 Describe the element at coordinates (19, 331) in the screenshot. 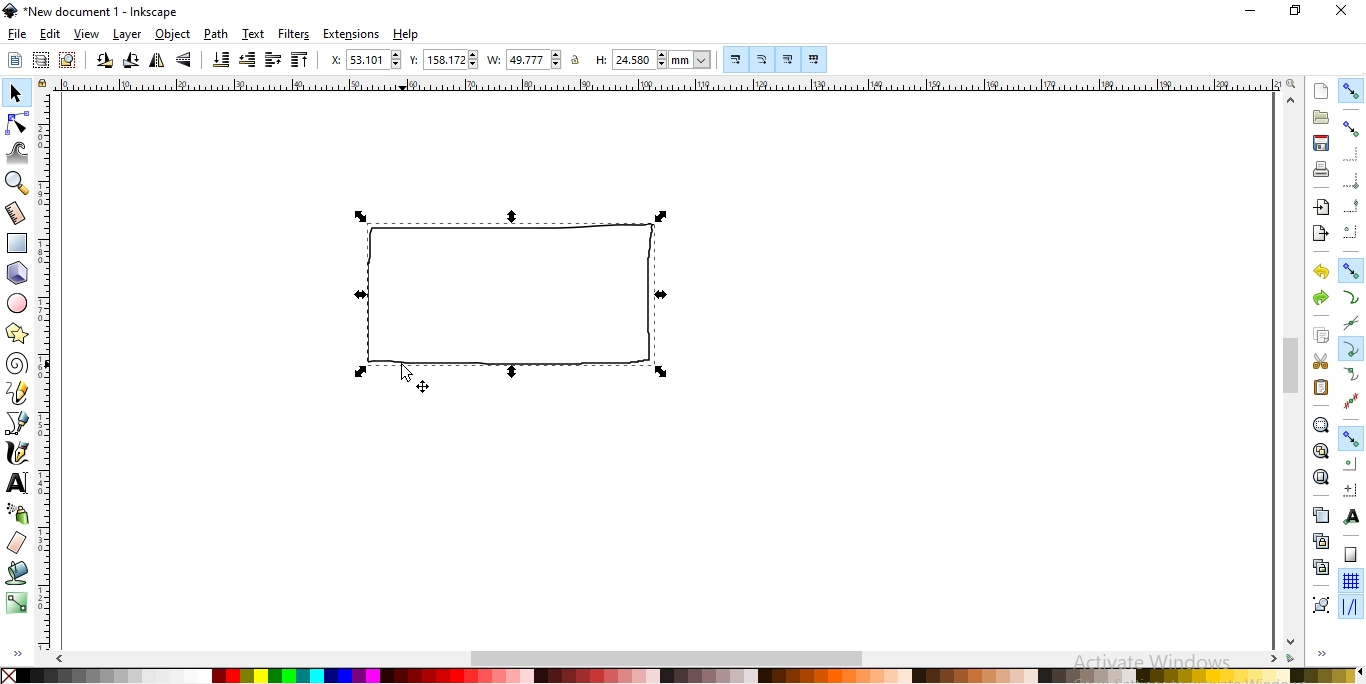

I see `create stars and polygons` at that location.